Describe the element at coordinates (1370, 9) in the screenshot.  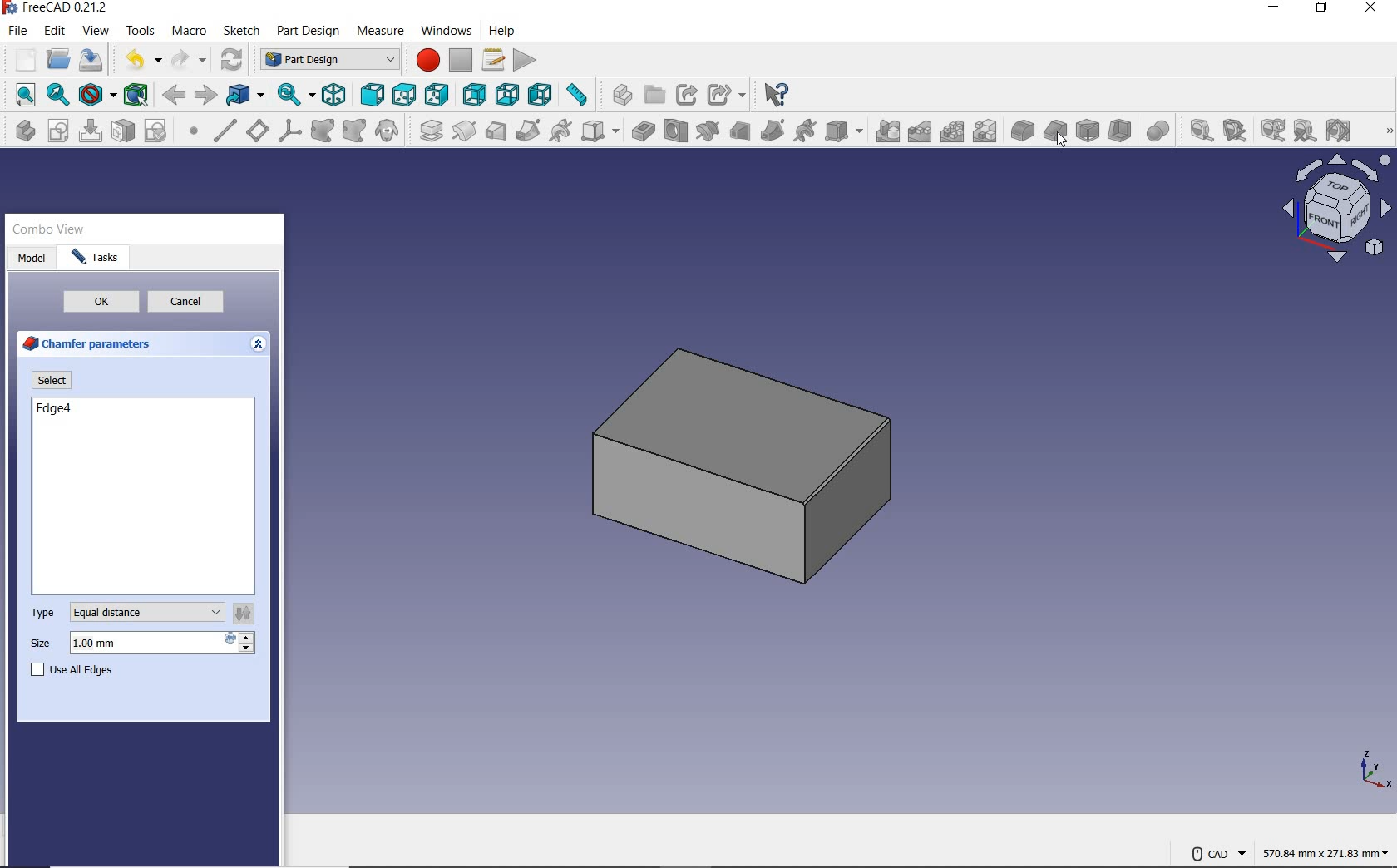
I see `close` at that location.